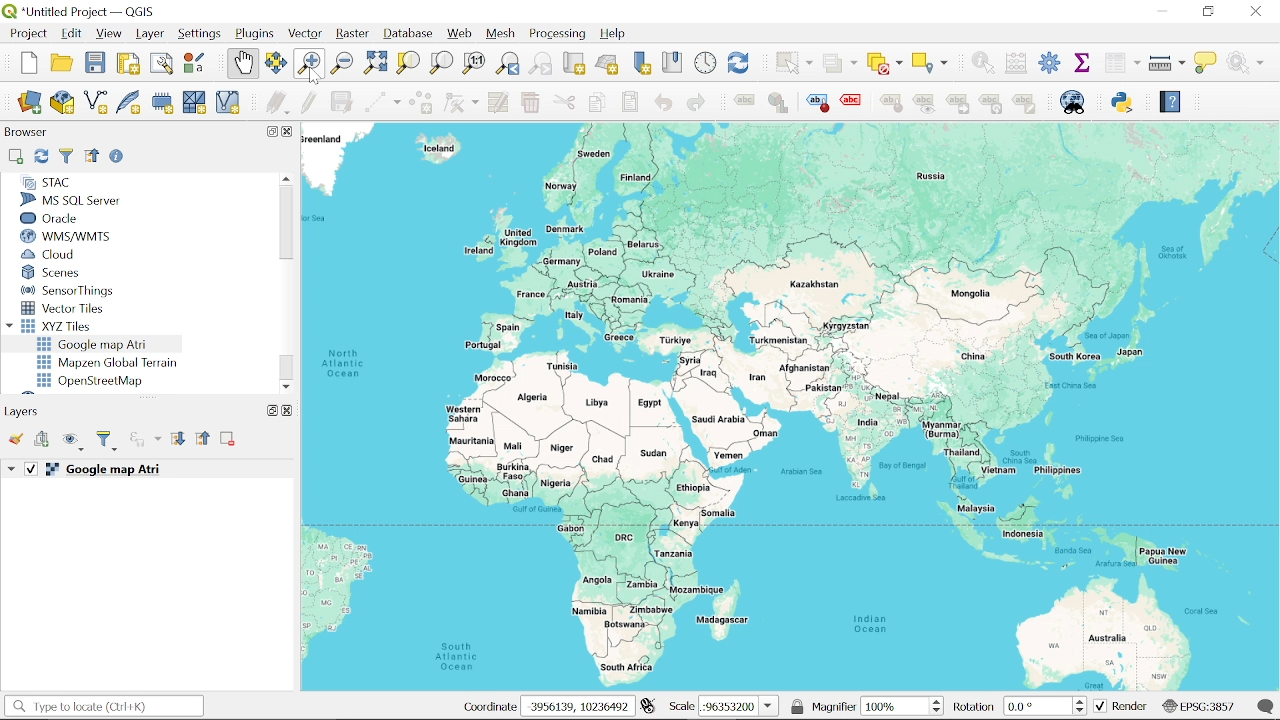 The height and width of the screenshot is (720, 1280). Describe the element at coordinates (798, 706) in the screenshot. I see `lock` at that location.